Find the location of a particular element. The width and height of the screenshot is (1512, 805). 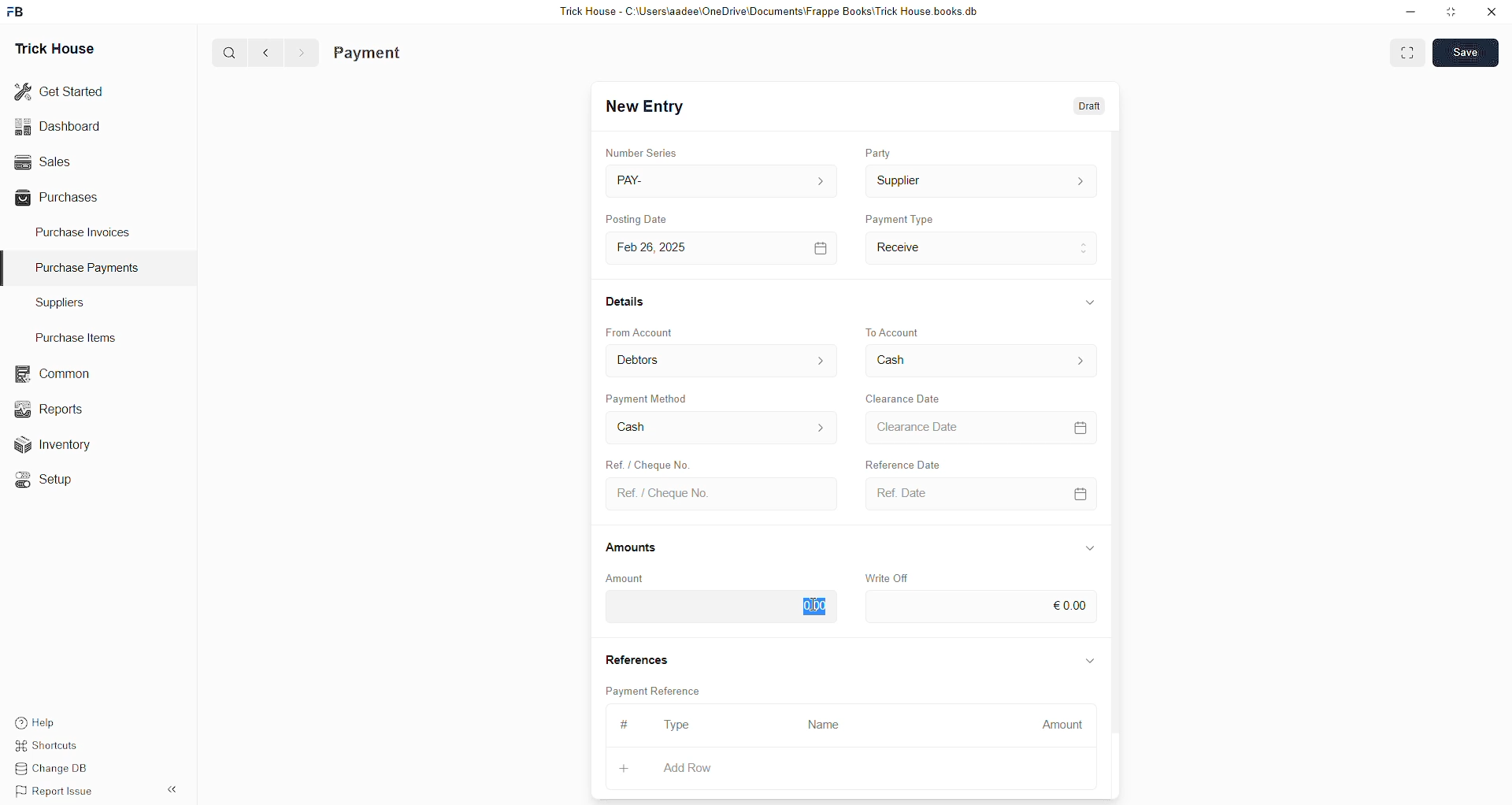

Suppliers is located at coordinates (77, 304).